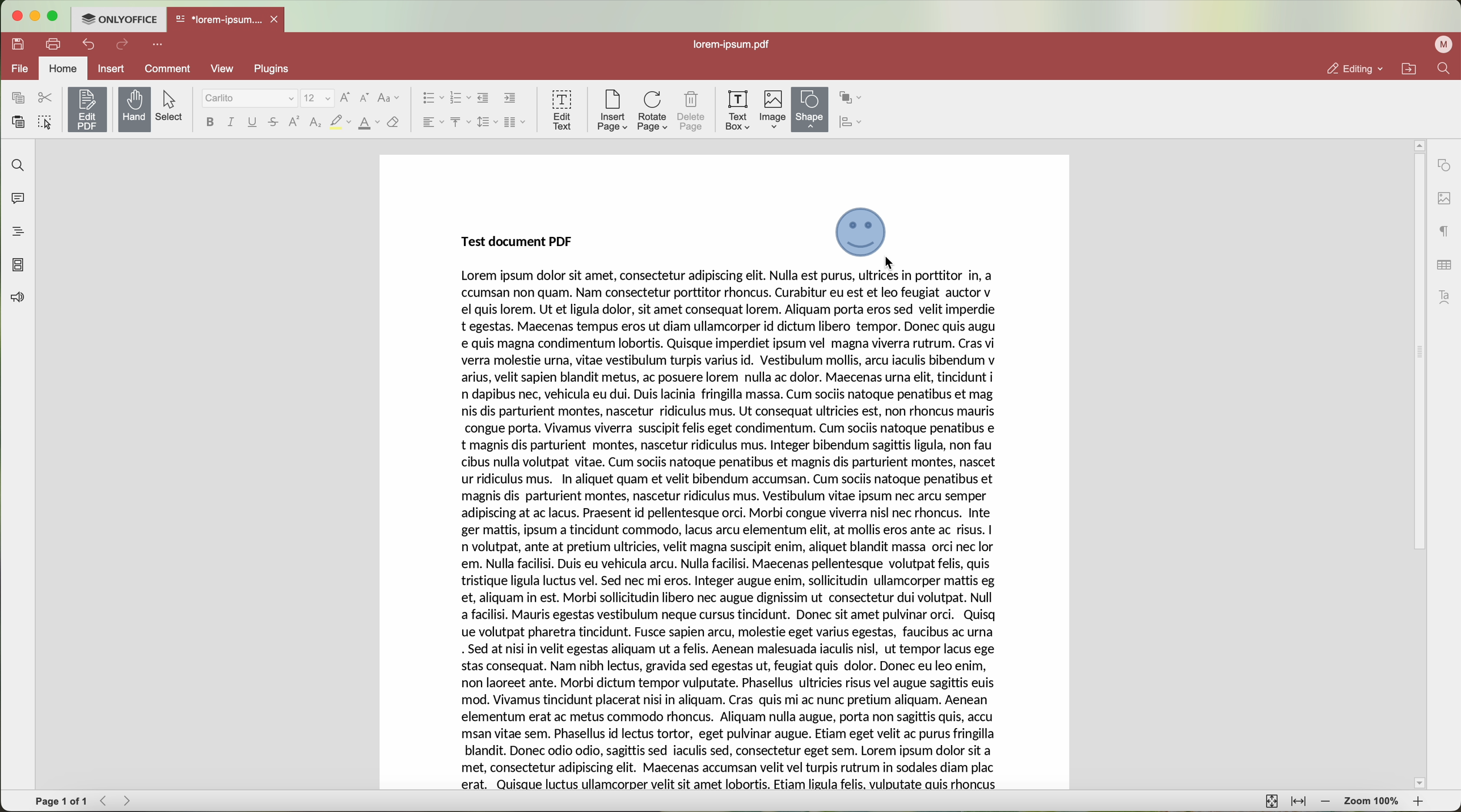 The width and height of the screenshot is (1461, 812). What do you see at coordinates (18, 266) in the screenshot?
I see `page thumbnails` at bounding box center [18, 266].